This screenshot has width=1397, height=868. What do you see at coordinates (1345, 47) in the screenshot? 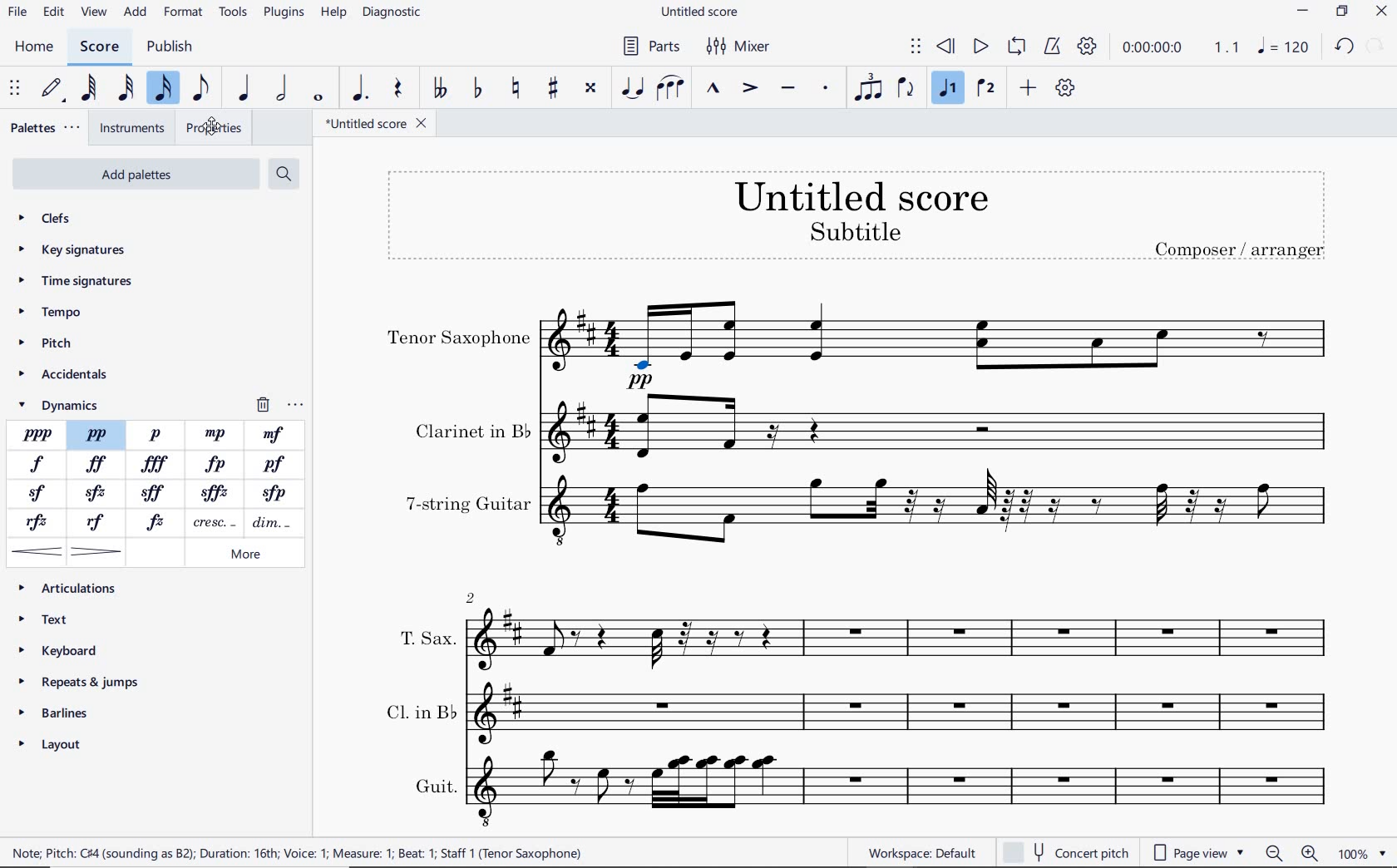
I see `undo` at bounding box center [1345, 47].